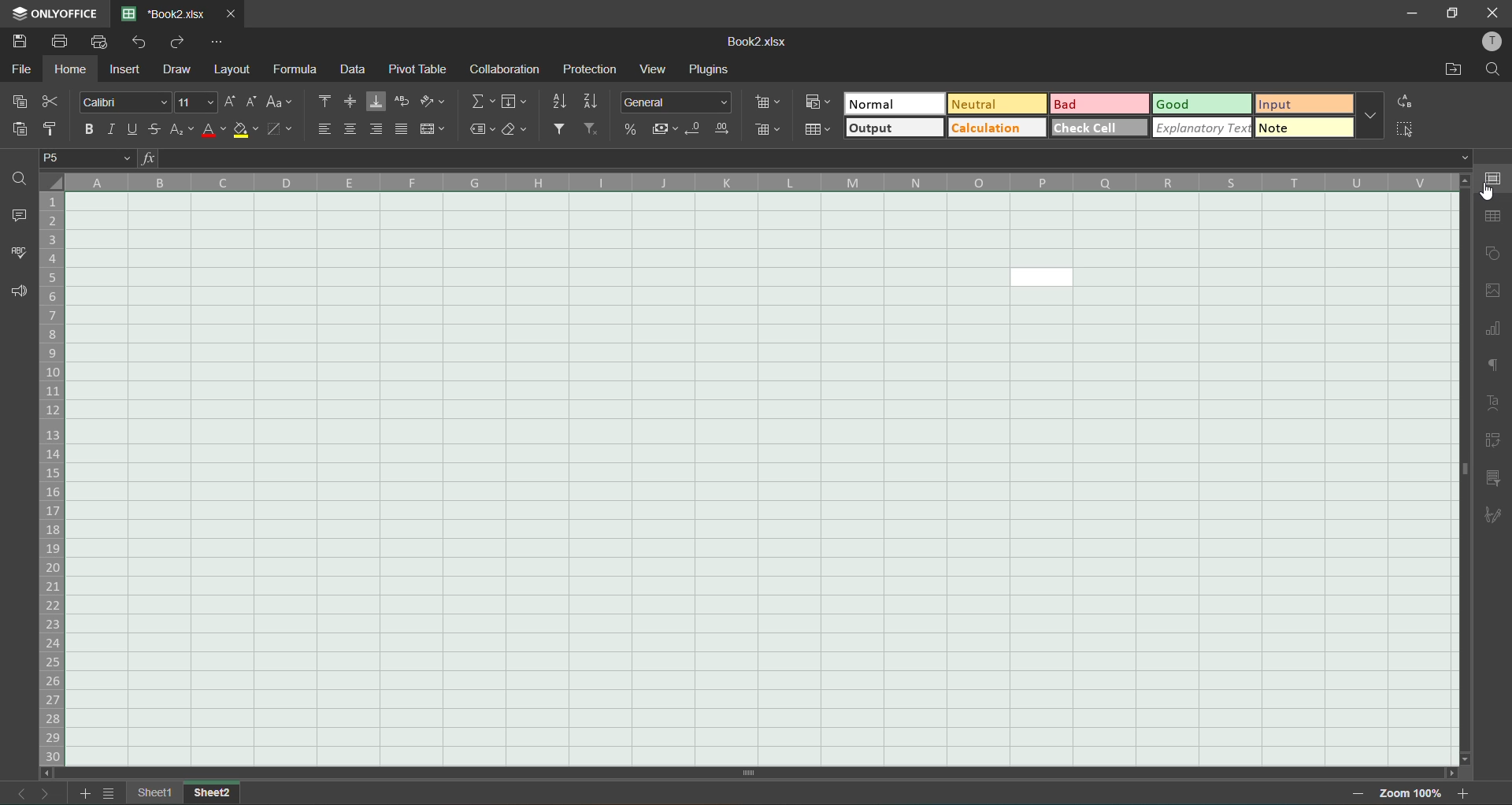 Image resolution: width=1512 pixels, height=805 pixels. Describe the element at coordinates (157, 127) in the screenshot. I see `strikethrough` at that location.